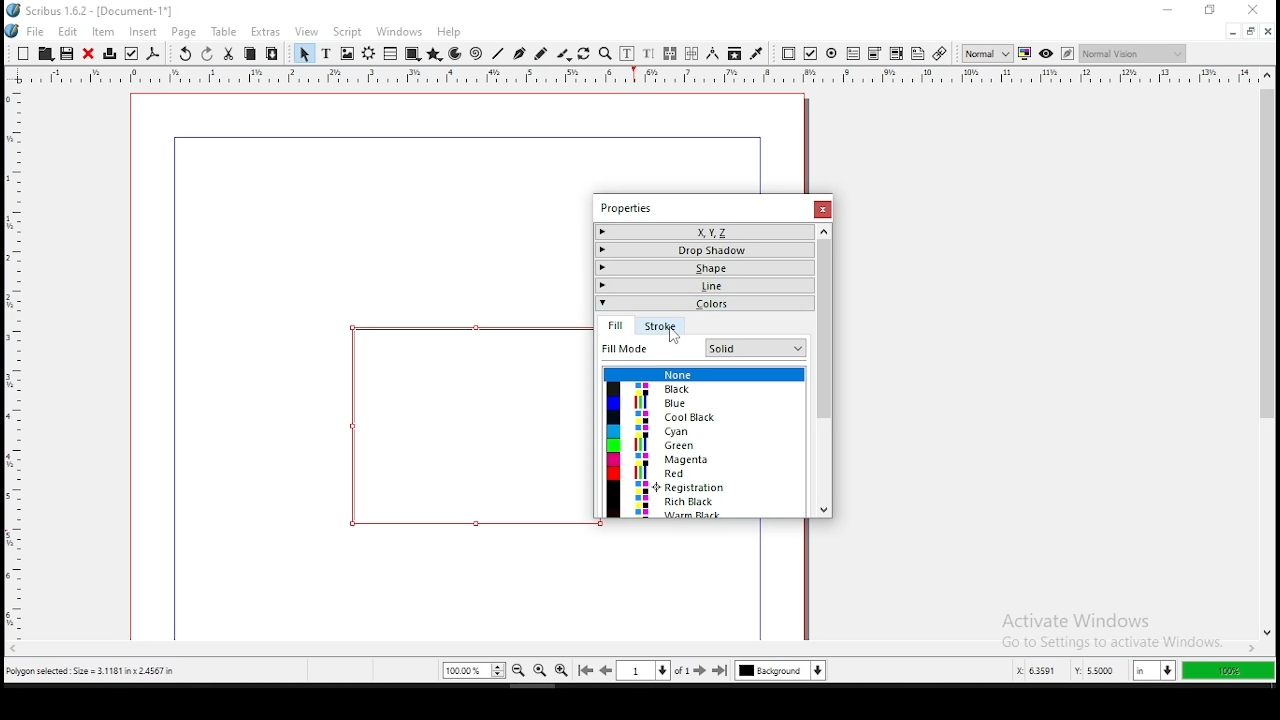 The width and height of the screenshot is (1280, 720). What do you see at coordinates (1031, 671) in the screenshot?
I see `x: 5.2253` at bounding box center [1031, 671].